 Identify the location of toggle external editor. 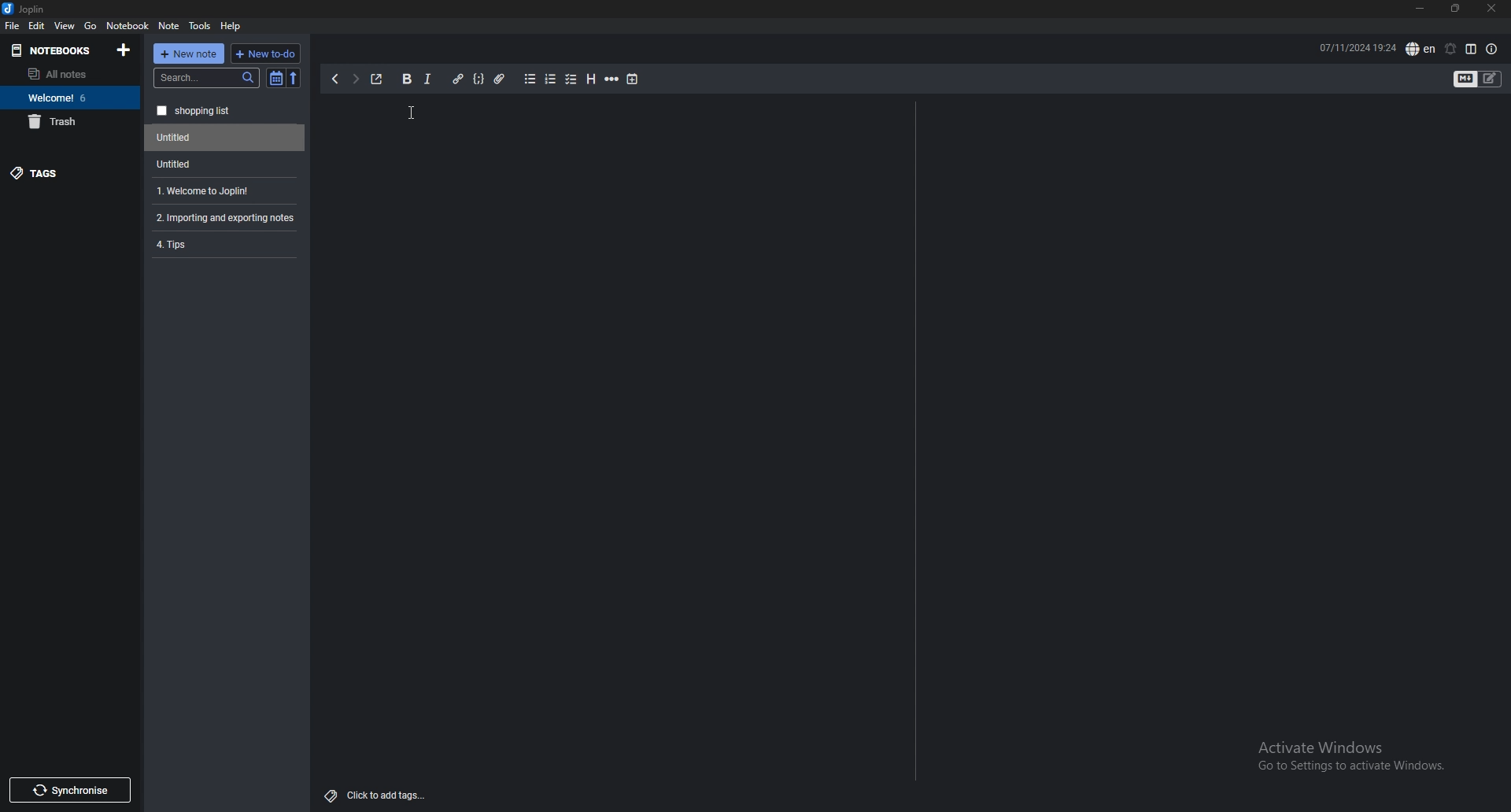
(377, 79).